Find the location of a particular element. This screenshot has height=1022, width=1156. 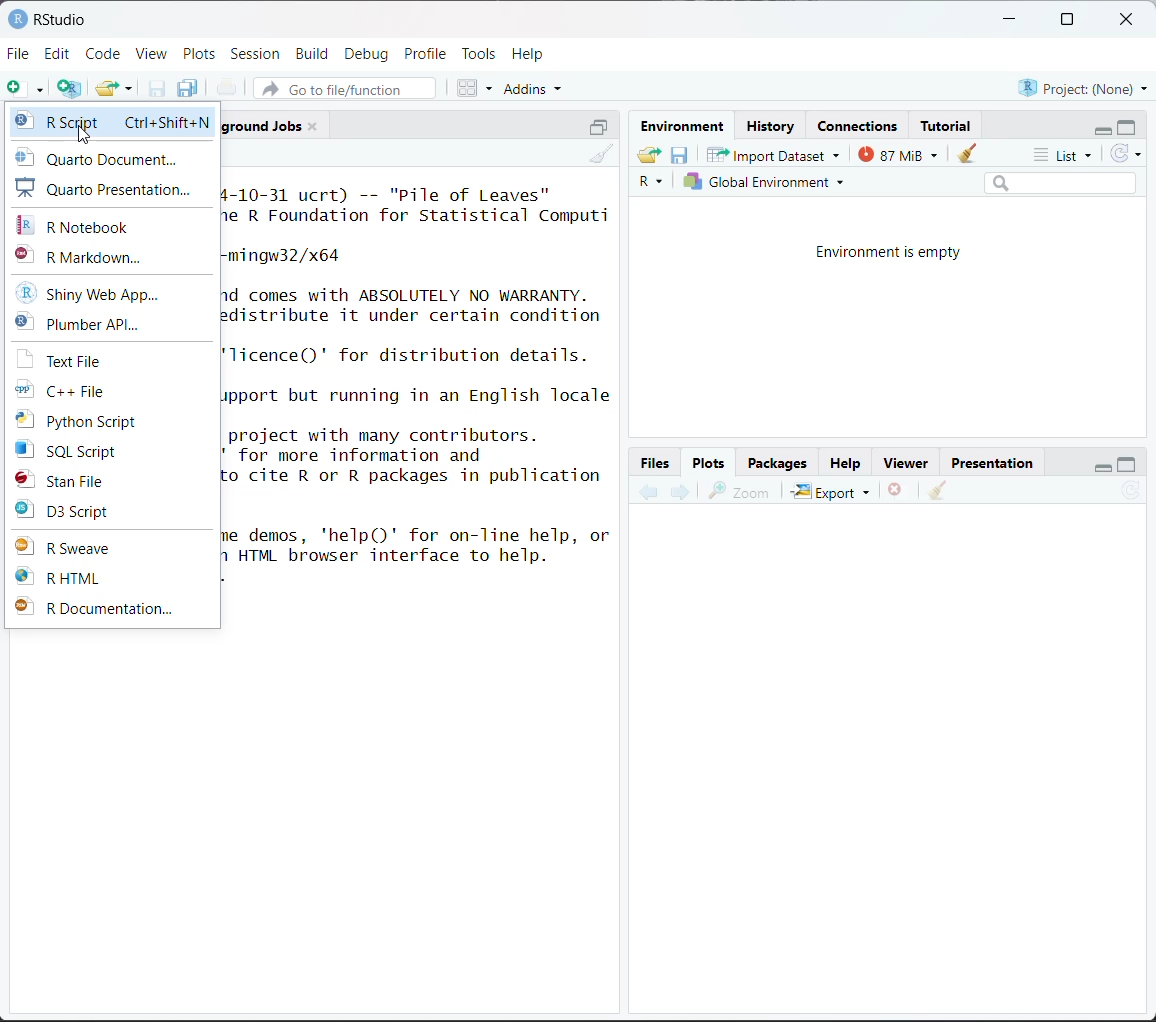

addins is located at coordinates (536, 88).